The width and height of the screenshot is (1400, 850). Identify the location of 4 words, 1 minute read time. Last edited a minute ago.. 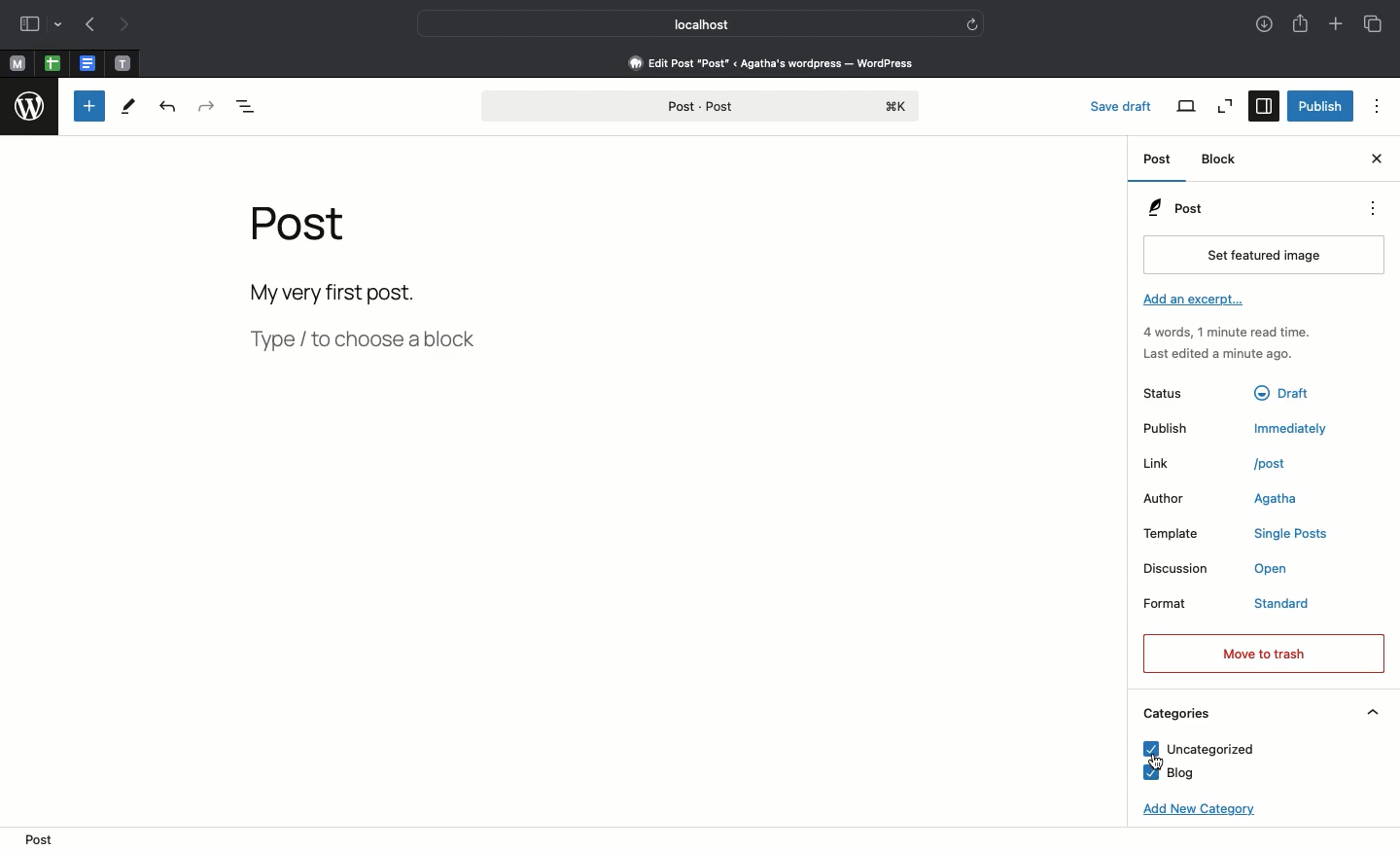
(1225, 346).